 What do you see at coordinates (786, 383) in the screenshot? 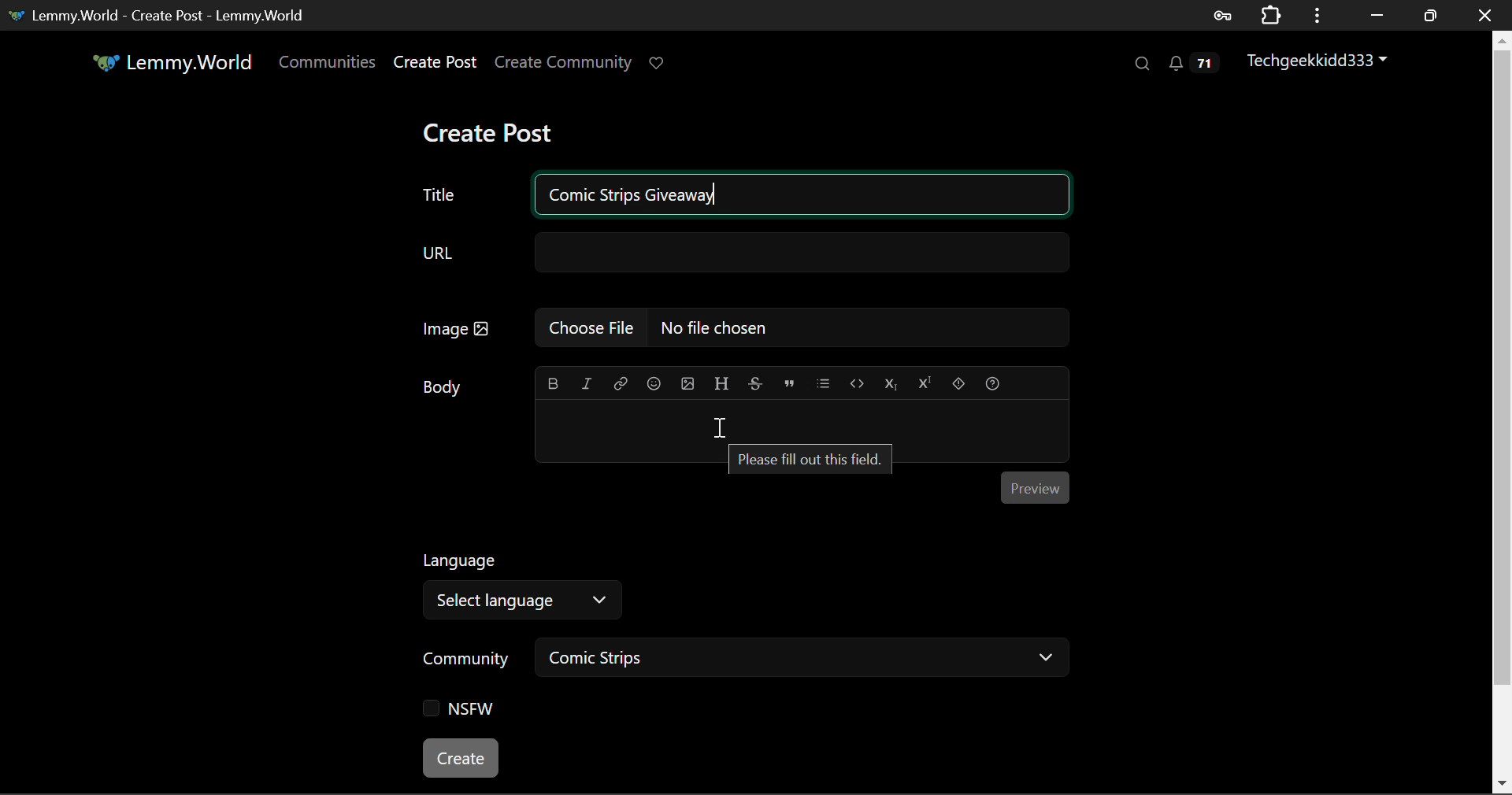
I see `quote` at bounding box center [786, 383].